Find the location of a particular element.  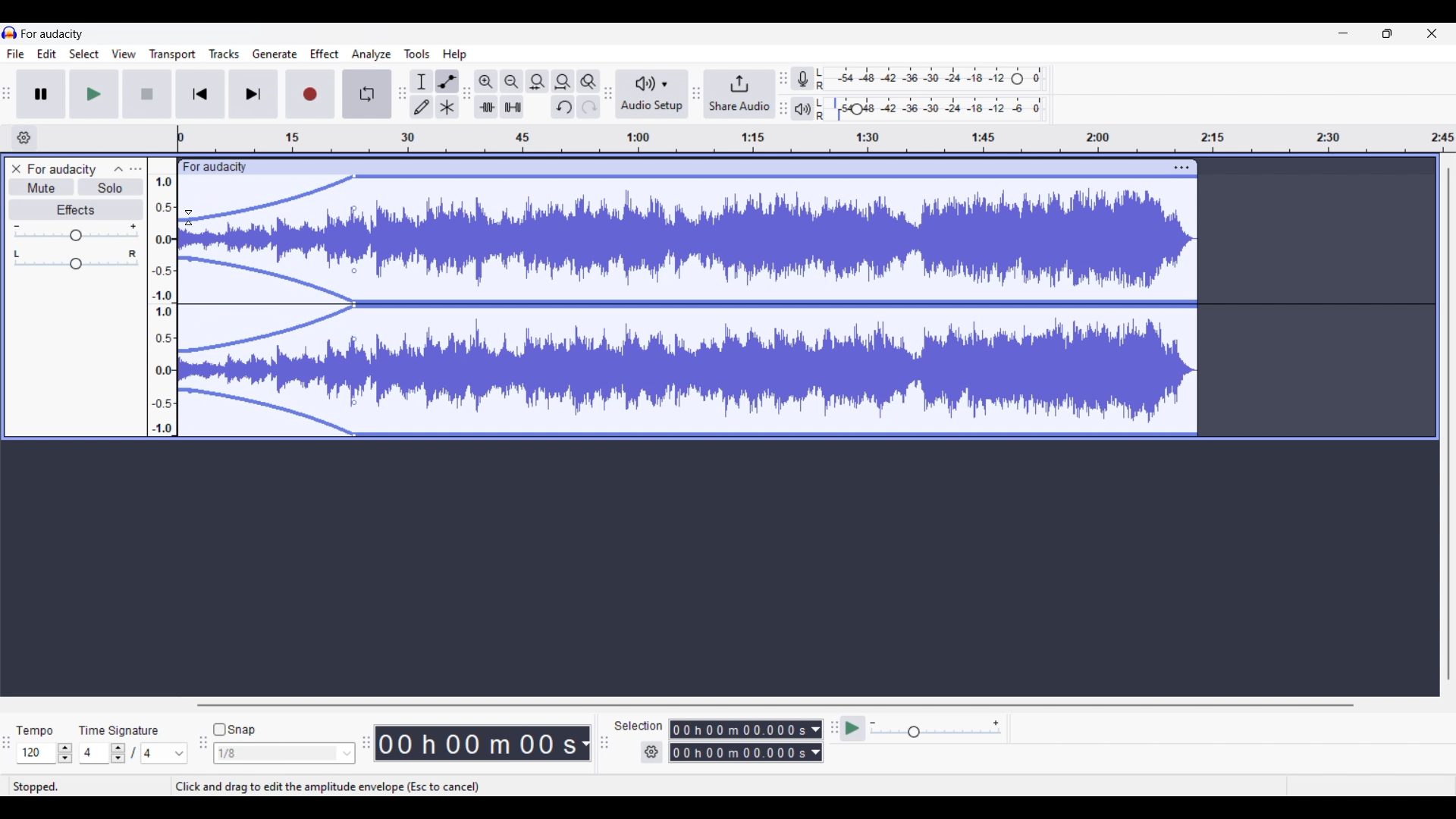

silence audio outside selection is located at coordinates (514, 107).